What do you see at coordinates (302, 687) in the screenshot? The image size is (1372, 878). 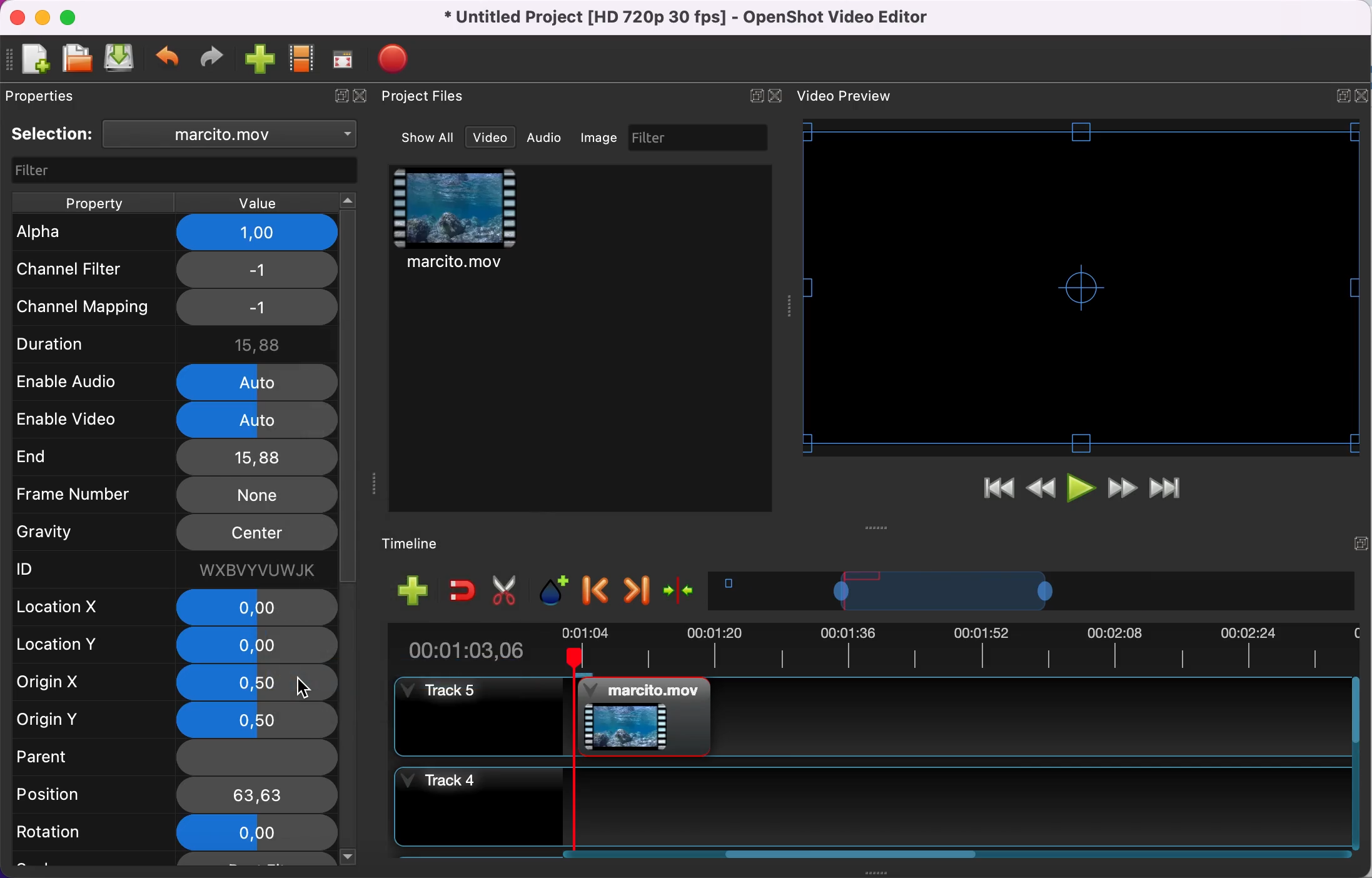 I see `cursor` at bounding box center [302, 687].